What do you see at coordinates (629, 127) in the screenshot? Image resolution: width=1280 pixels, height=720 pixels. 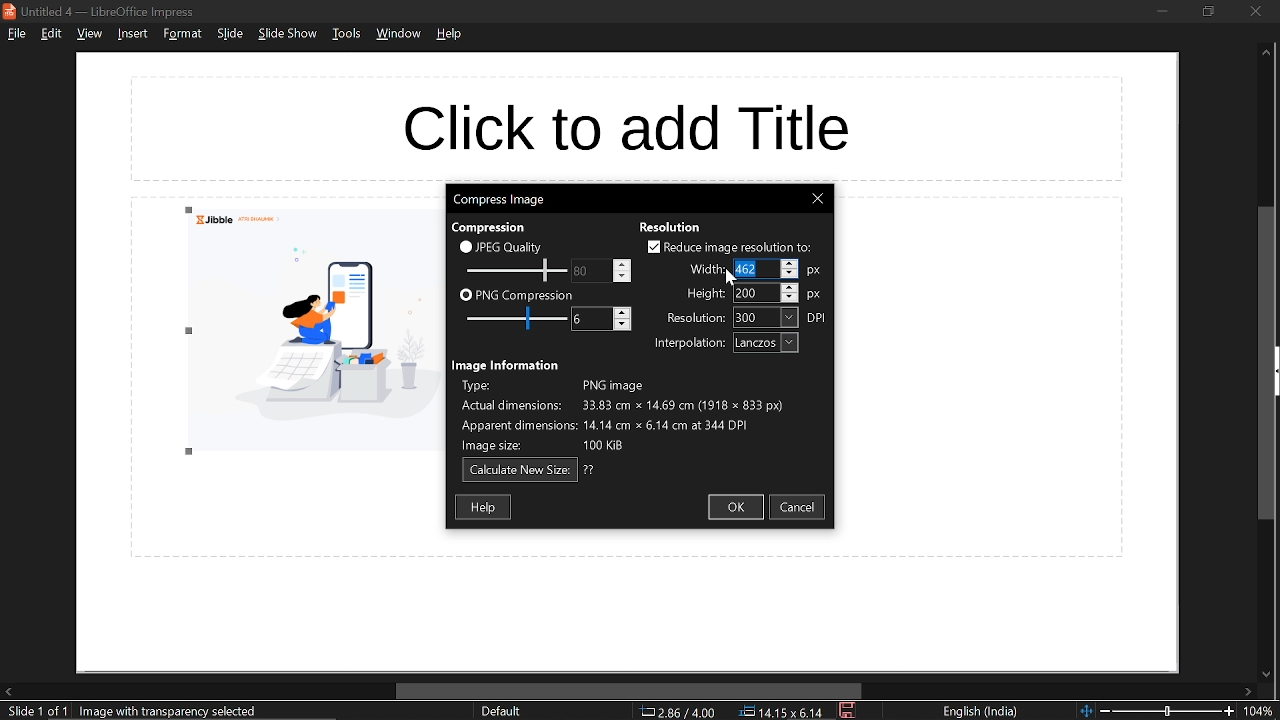 I see `space for title` at bounding box center [629, 127].